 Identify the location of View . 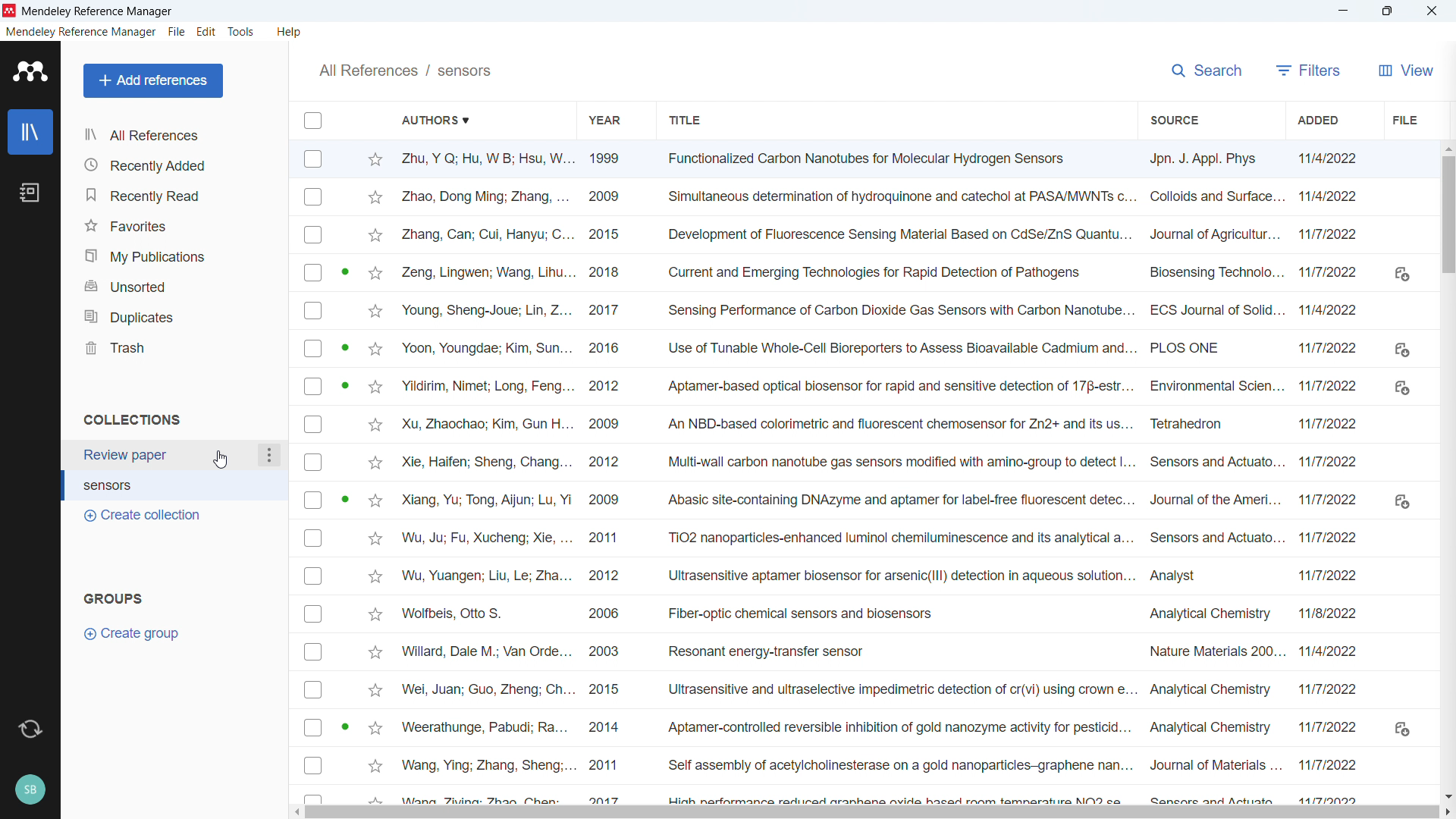
(1403, 70).